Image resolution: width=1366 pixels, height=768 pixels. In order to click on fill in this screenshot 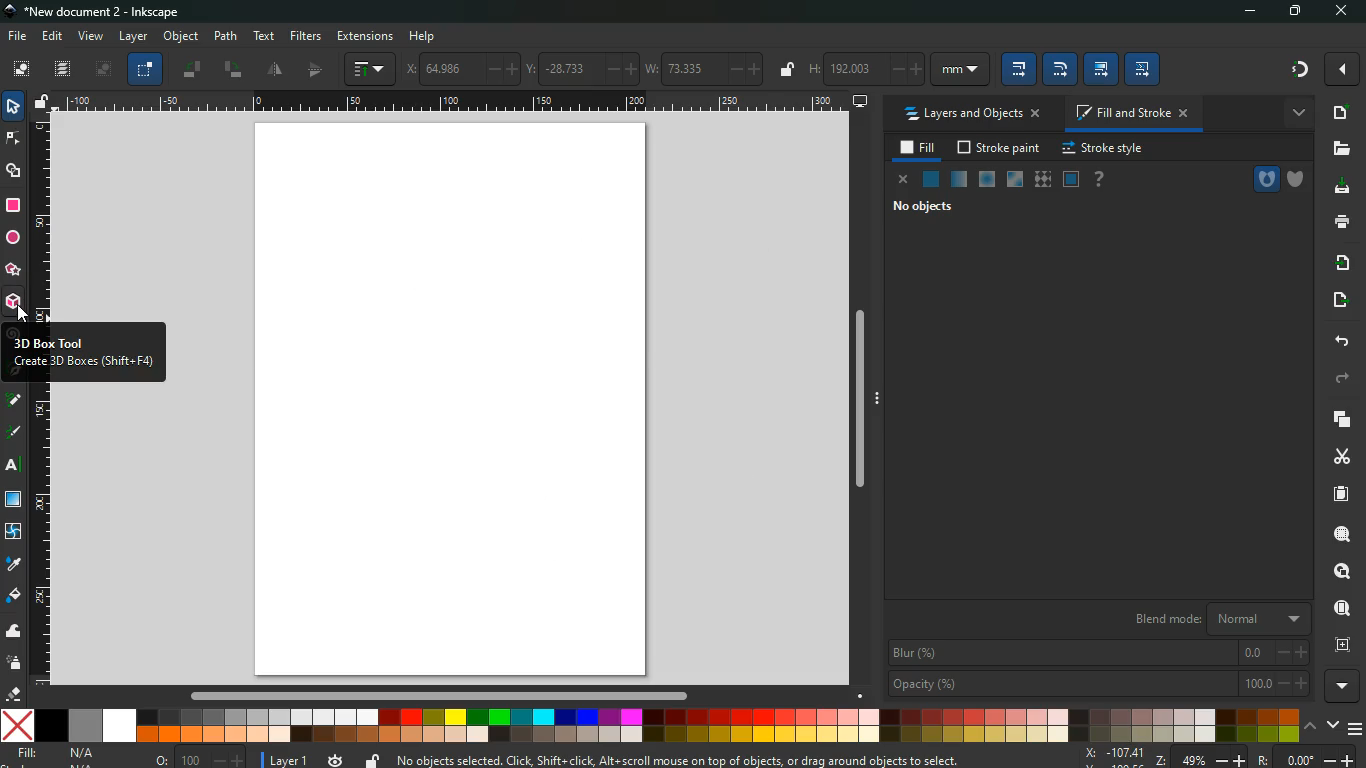, I will do `click(69, 755)`.